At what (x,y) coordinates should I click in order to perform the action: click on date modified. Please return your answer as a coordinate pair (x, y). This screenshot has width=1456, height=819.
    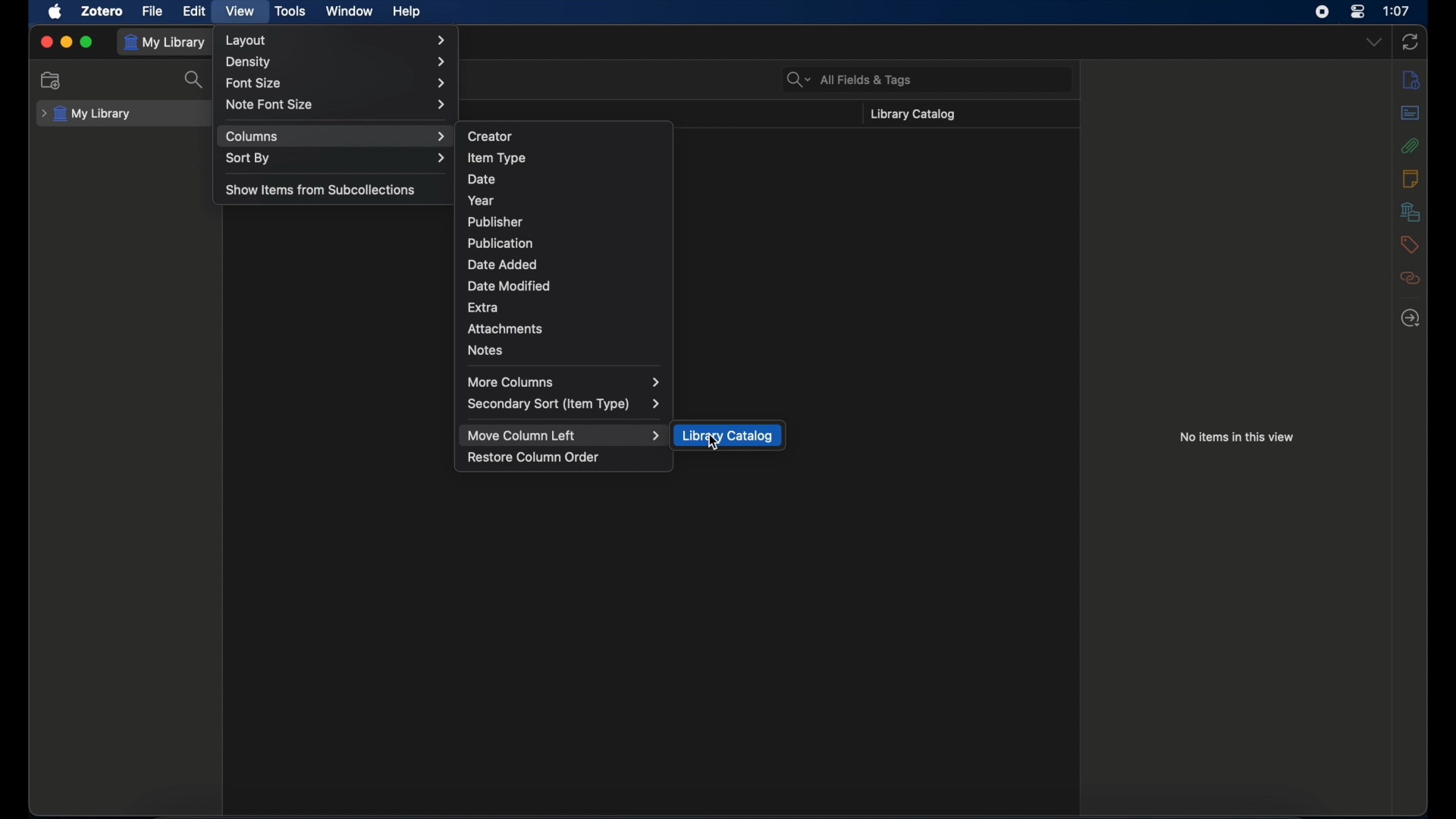
    Looking at the image, I should click on (509, 286).